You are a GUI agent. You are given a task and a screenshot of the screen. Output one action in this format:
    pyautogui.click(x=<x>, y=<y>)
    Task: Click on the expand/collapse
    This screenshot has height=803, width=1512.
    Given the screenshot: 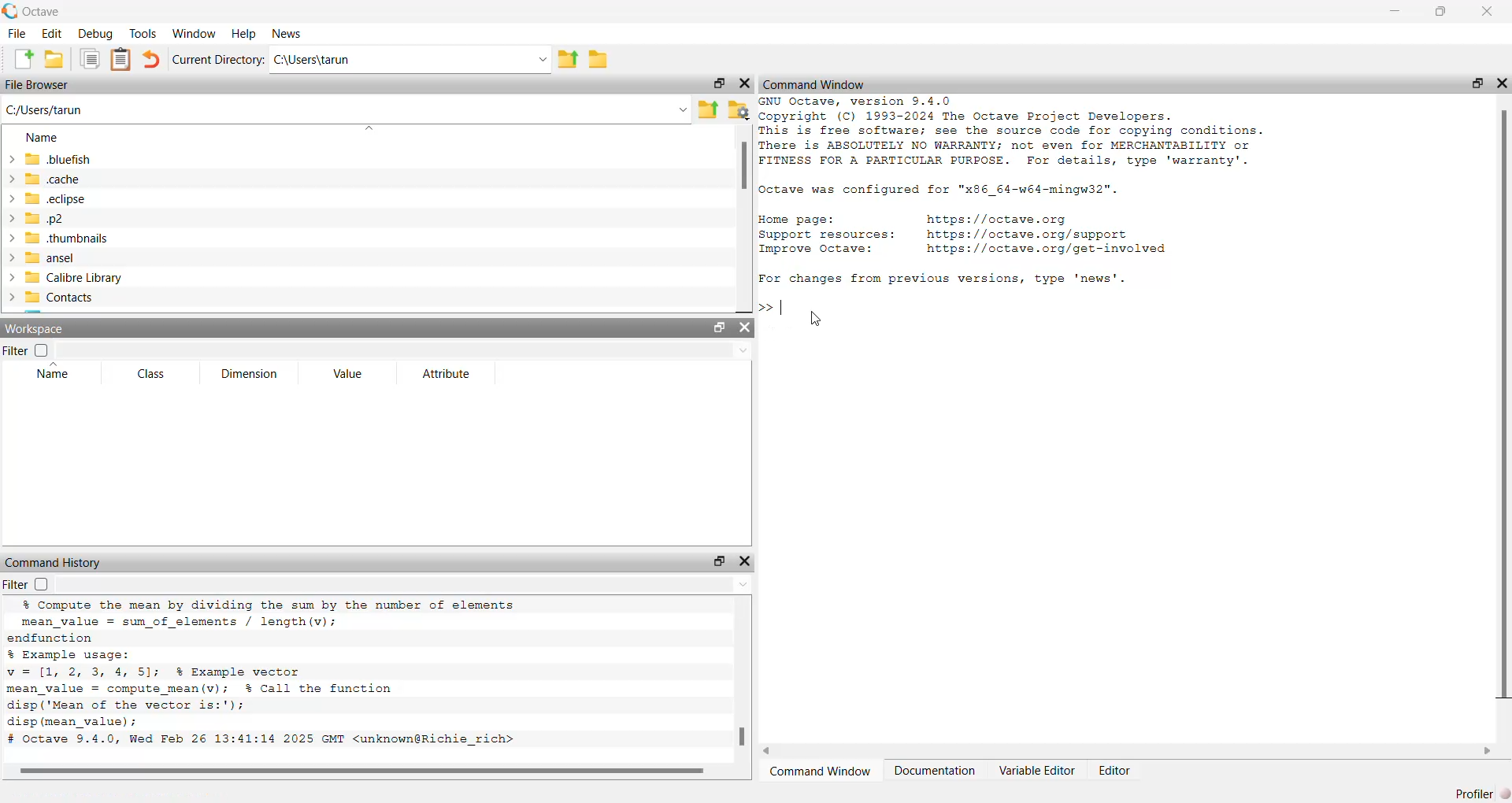 What is the action you would take?
    pyautogui.click(x=11, y=228)
    